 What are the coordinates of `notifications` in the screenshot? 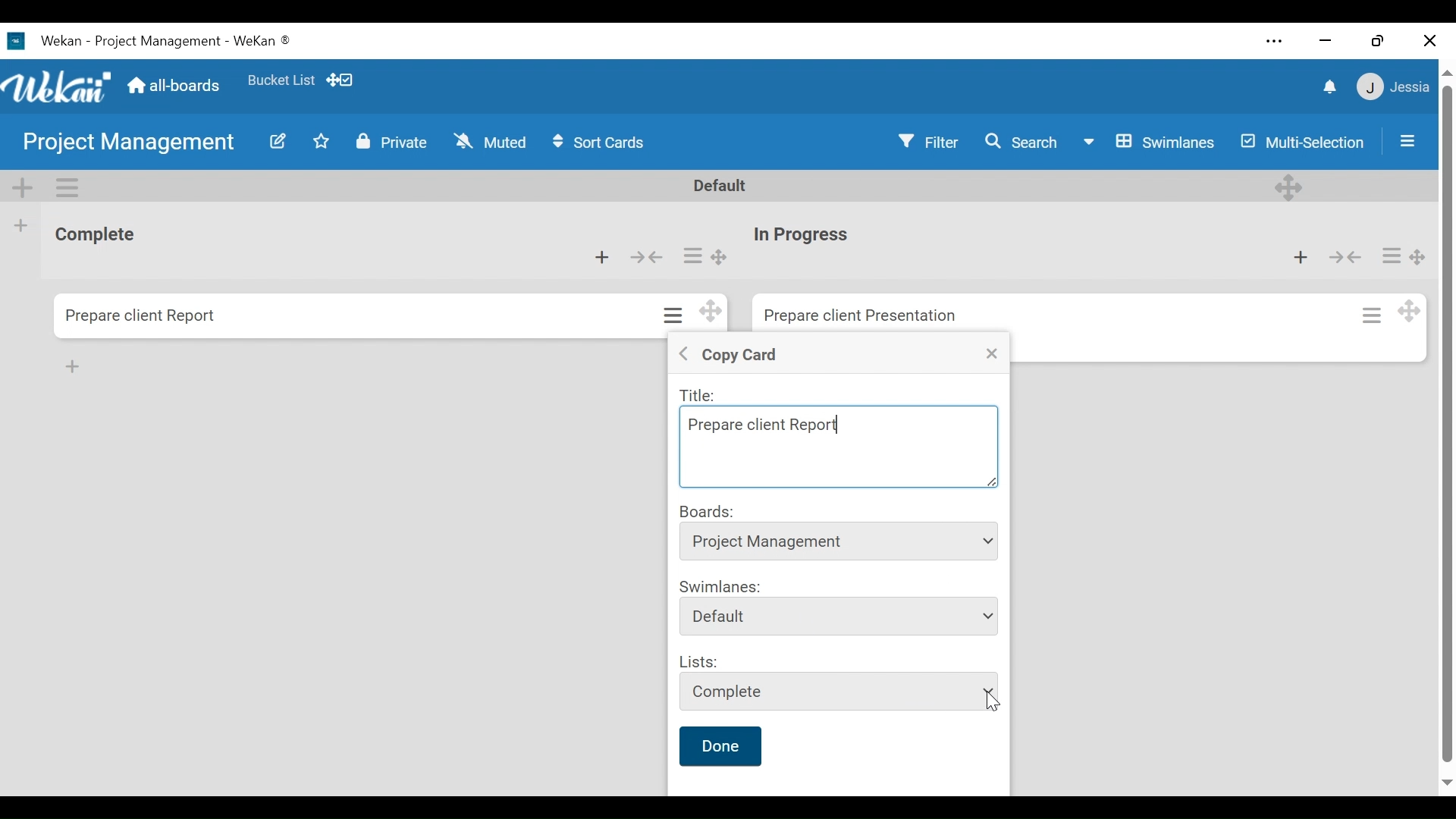 It's located at (1335, 86).